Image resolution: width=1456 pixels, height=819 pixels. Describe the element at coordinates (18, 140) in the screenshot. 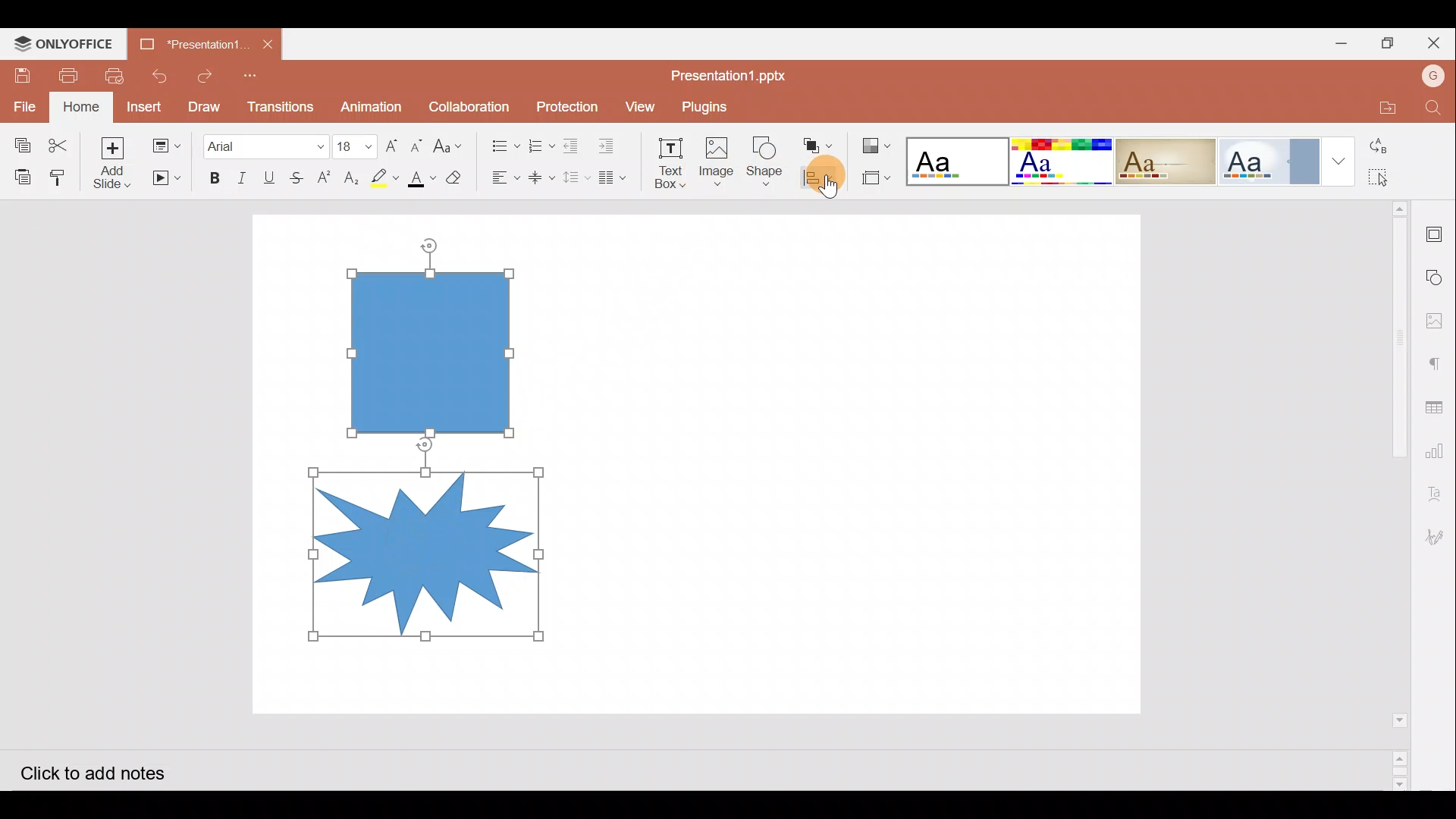

I see `Copy` at that location.